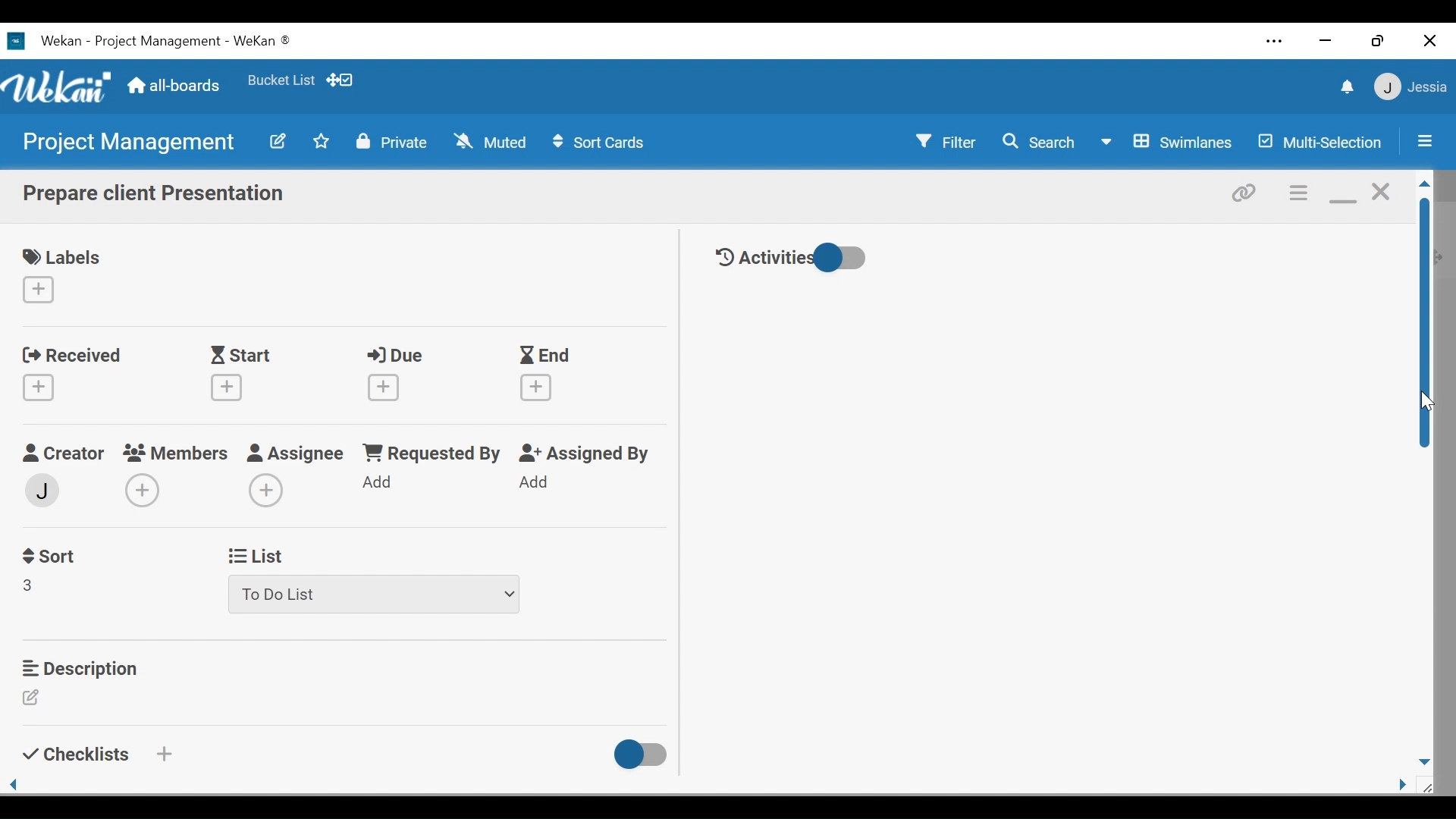 The image size is (1456, 819). What do you see at coordinates (340, 80) in the screenshot?
I see `Show Desktop drag handles` at bounding box center [340, 80].